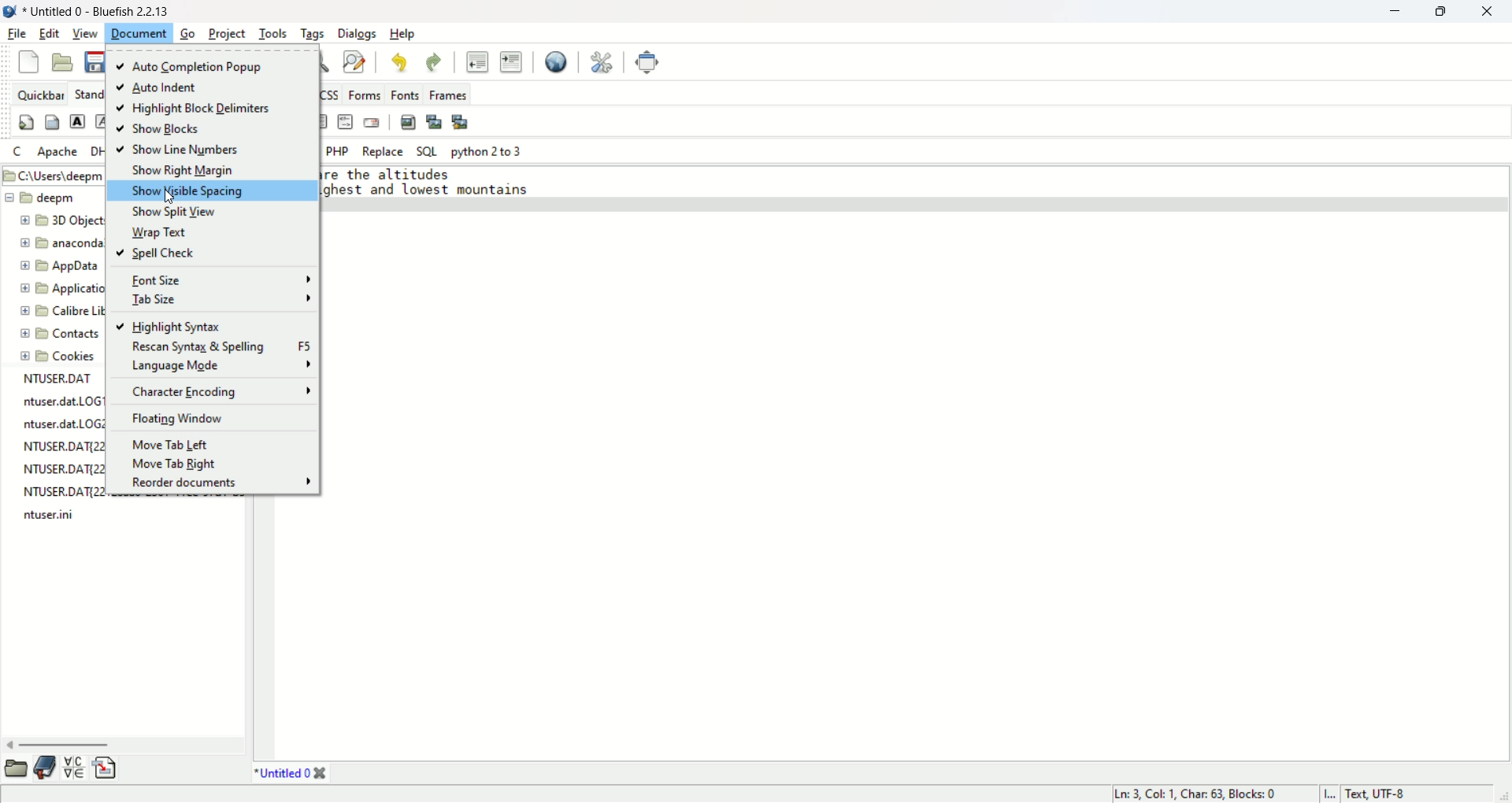 This screenshot has height=803, width=1512. I want to click on title, so click(100, 10).